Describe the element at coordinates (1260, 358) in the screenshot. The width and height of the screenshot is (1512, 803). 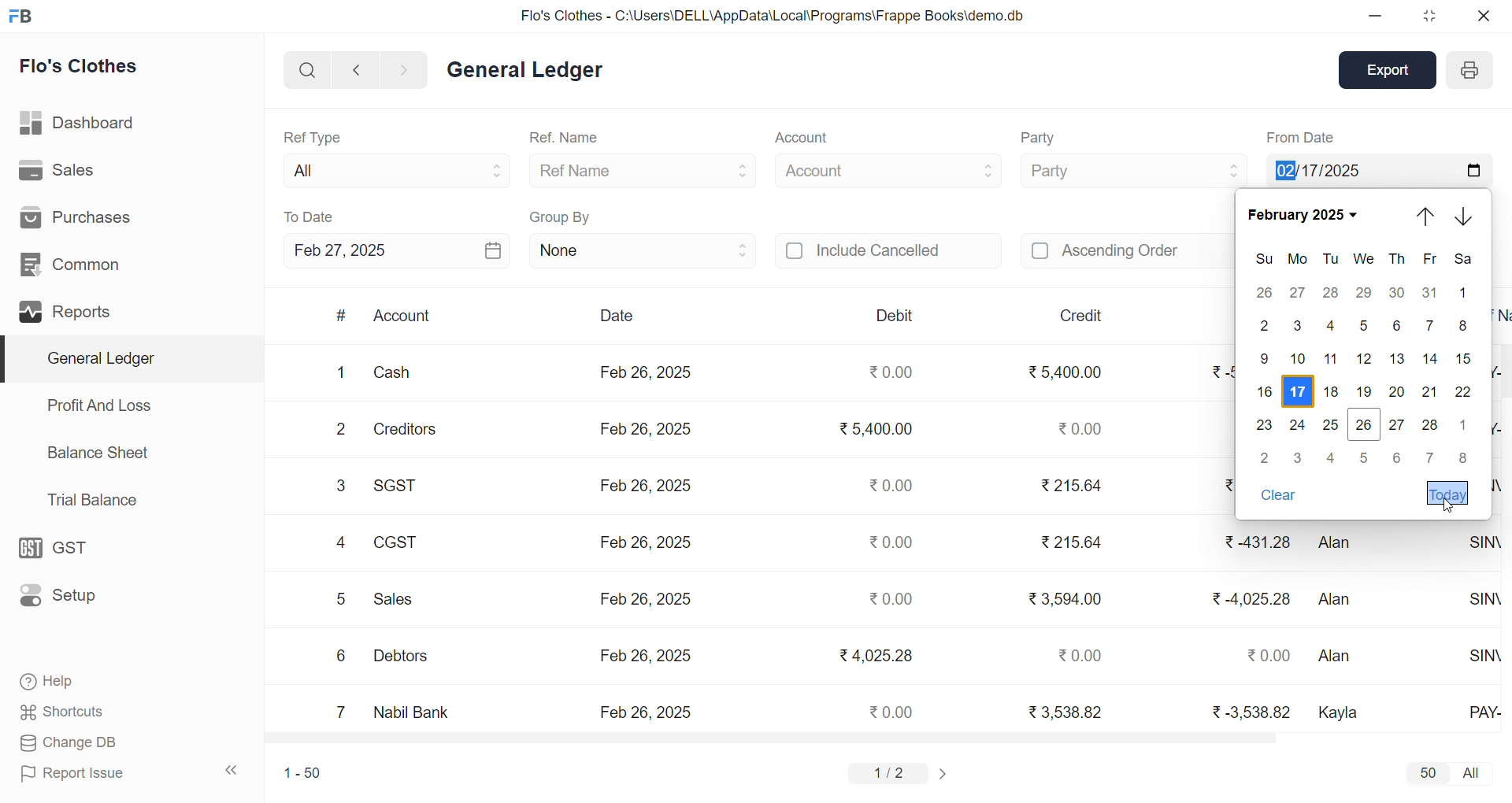
I see `9` at that location.